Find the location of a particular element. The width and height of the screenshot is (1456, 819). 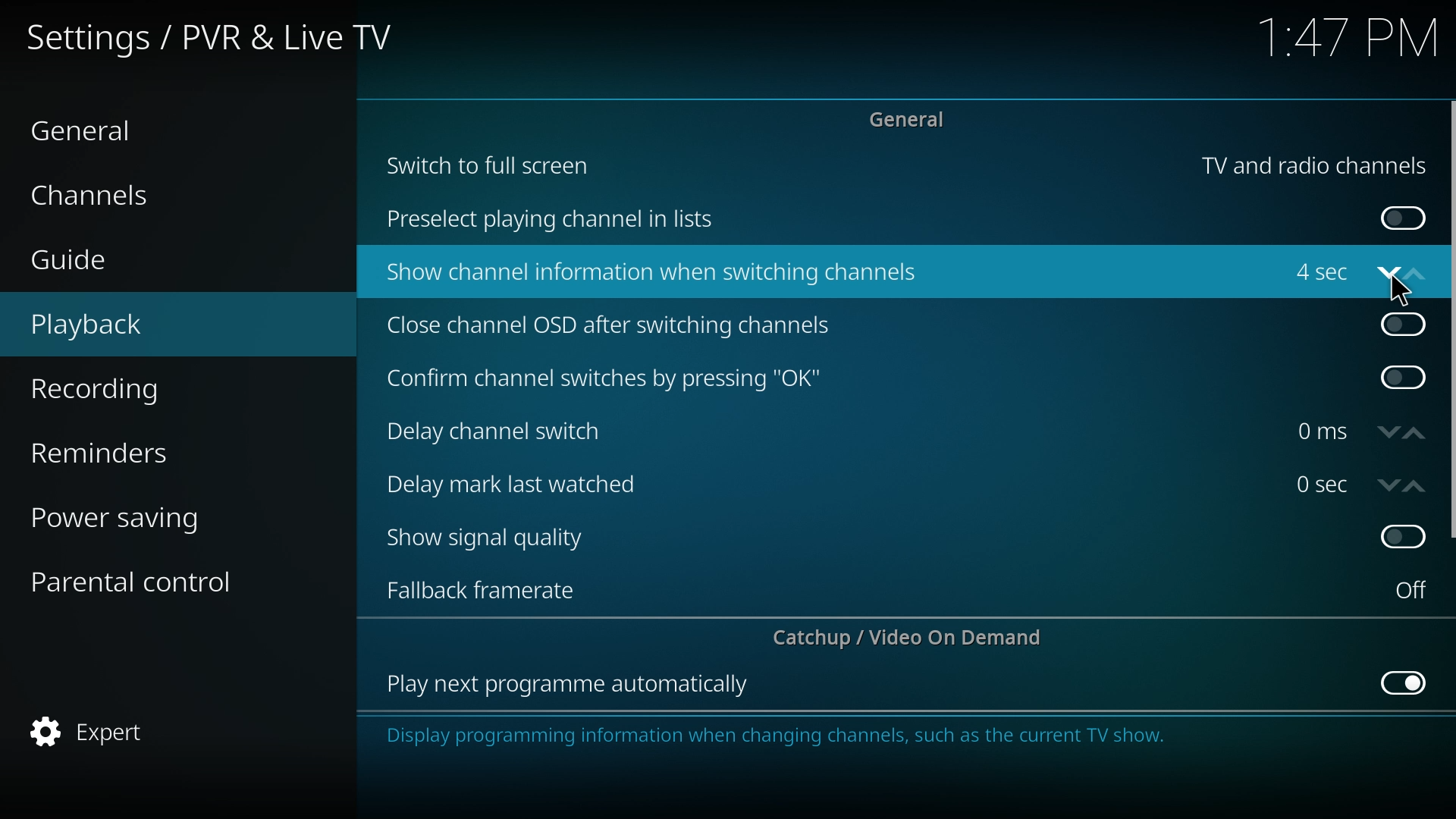

on is located at coordinates (1411, 590).